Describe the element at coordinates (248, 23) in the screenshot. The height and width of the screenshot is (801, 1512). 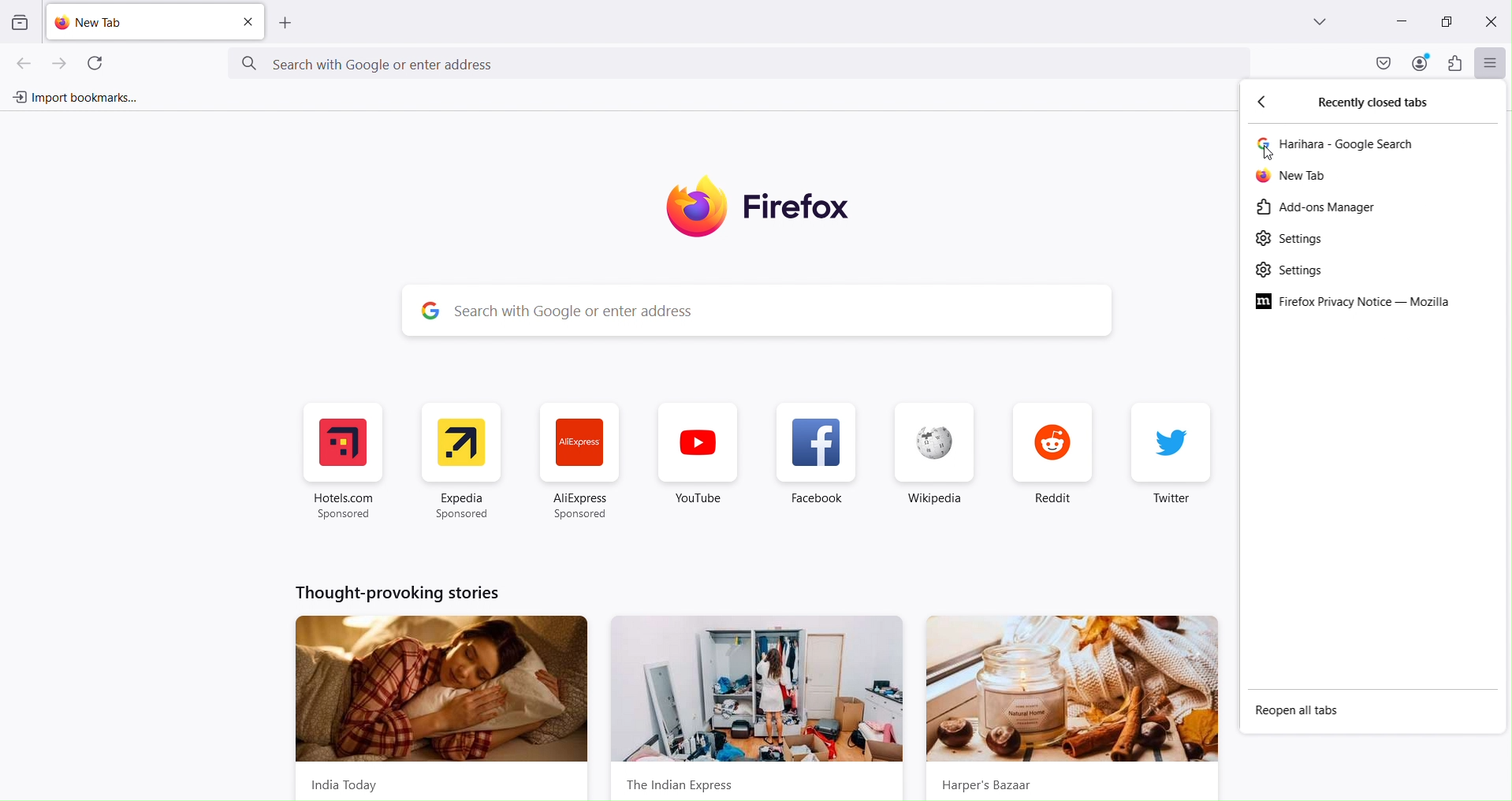
I see `close` at that location.